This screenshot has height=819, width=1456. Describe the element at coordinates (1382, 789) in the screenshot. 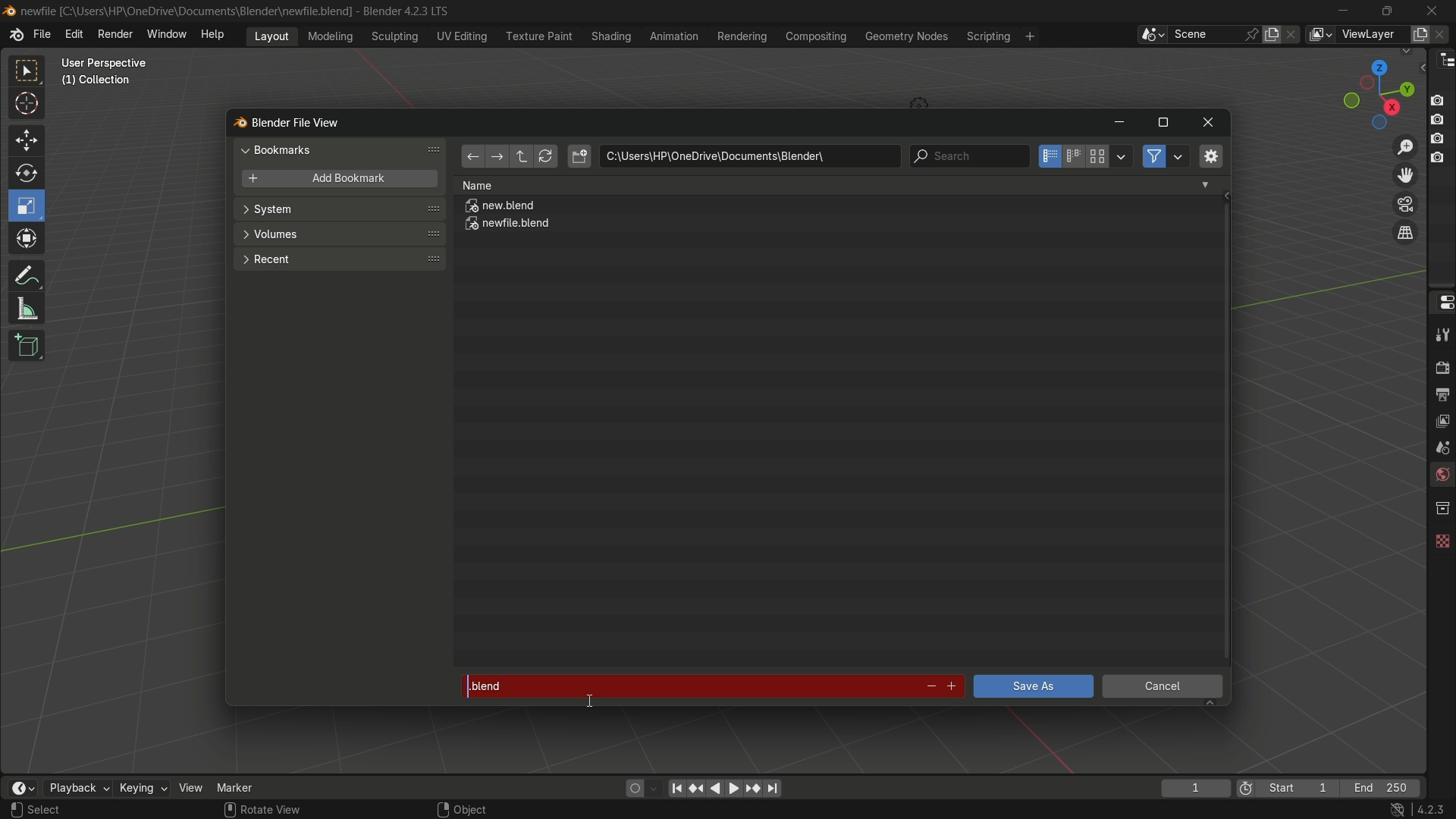

I see `final frame of the playback` at that location.